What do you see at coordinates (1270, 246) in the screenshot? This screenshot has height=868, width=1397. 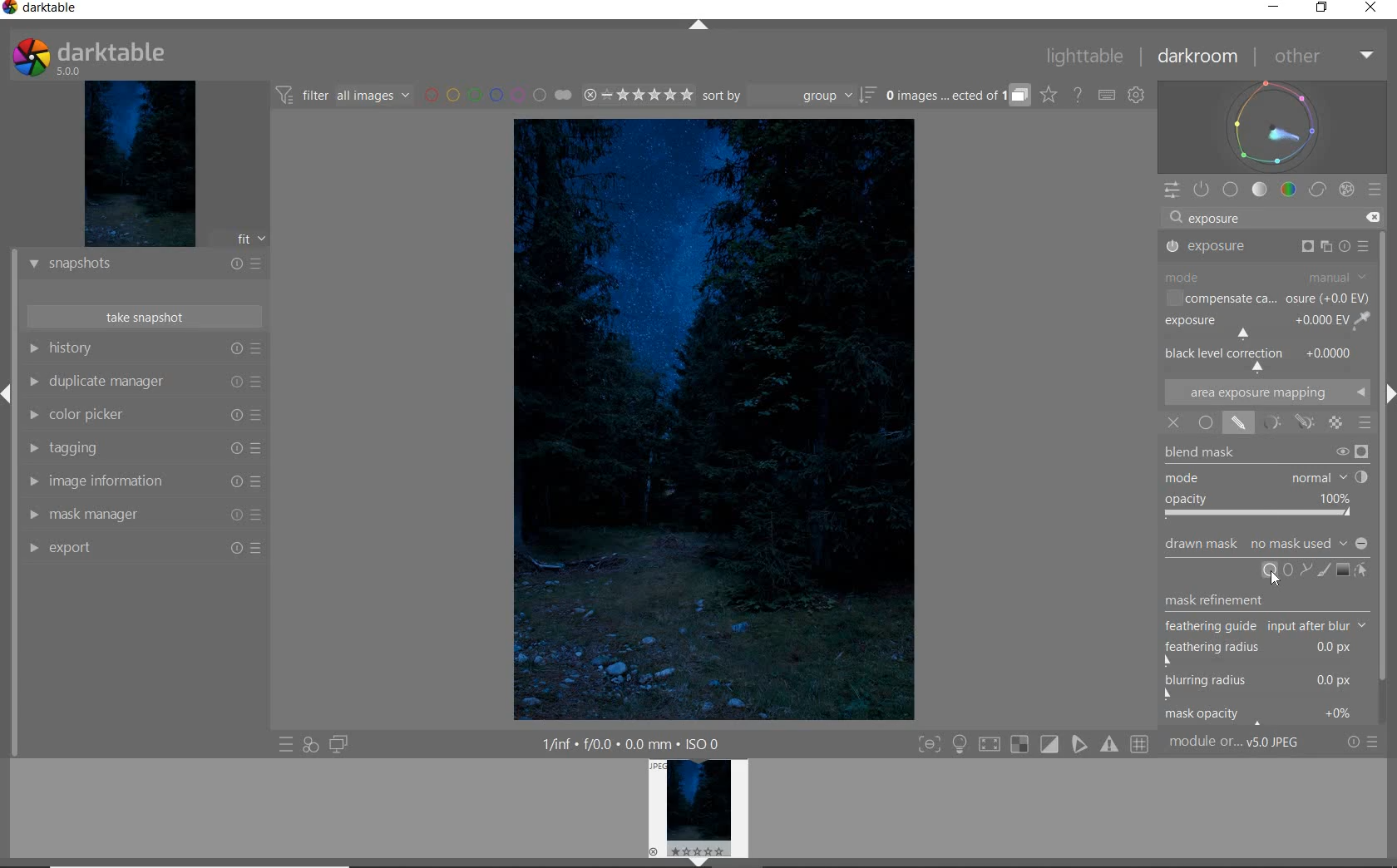 I see `EXPOSURE` at bounding box center [1270, 246].